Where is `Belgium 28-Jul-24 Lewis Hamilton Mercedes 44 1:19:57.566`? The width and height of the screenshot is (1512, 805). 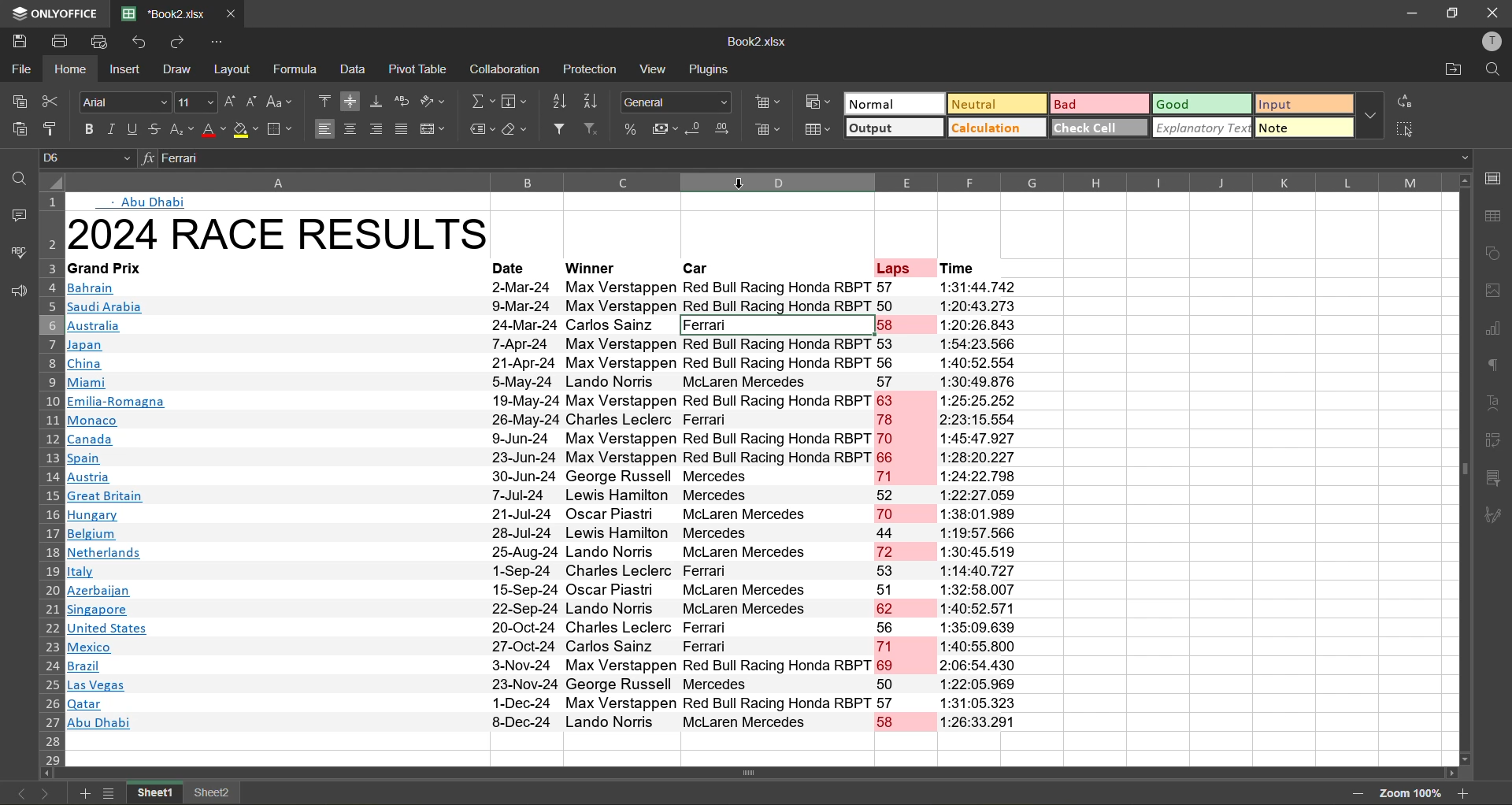 Belgium 28-Jul-24 Lewis Hamilton Mercedes 44 1:19:57.566 is located at coordinates (549, 535).